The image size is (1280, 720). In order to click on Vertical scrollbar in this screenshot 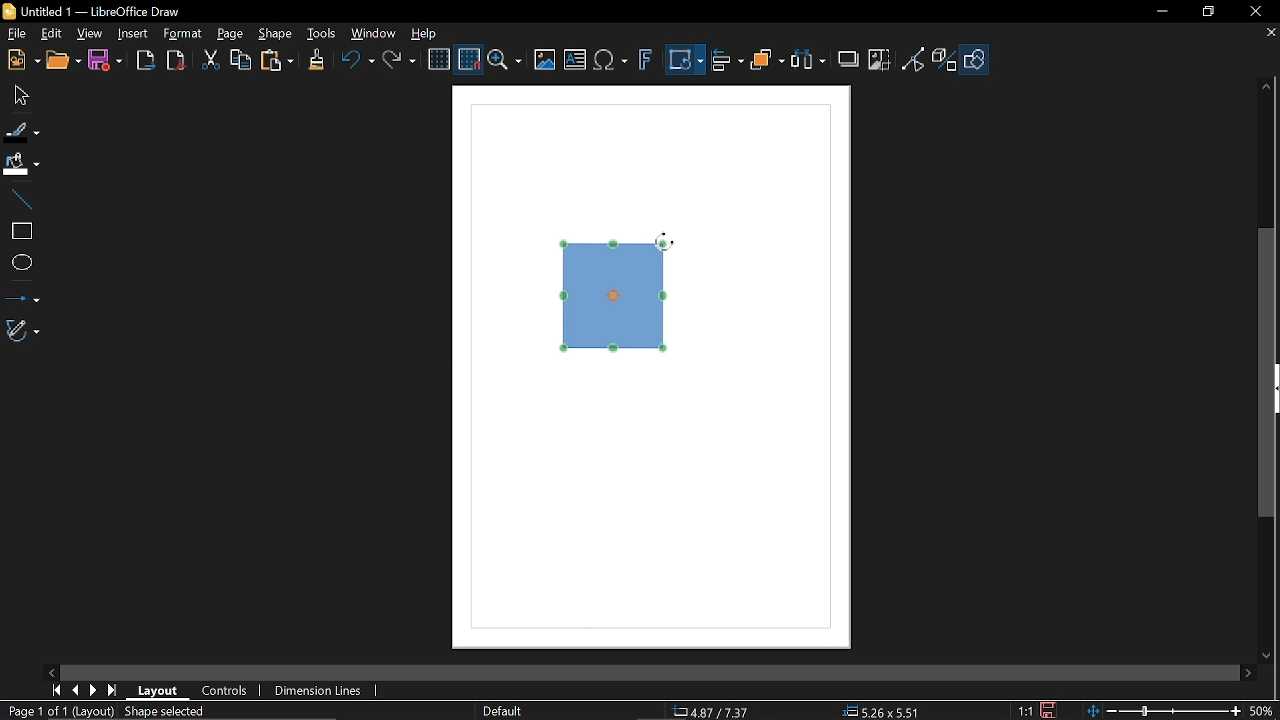, I will do `click(1270, 375)`.